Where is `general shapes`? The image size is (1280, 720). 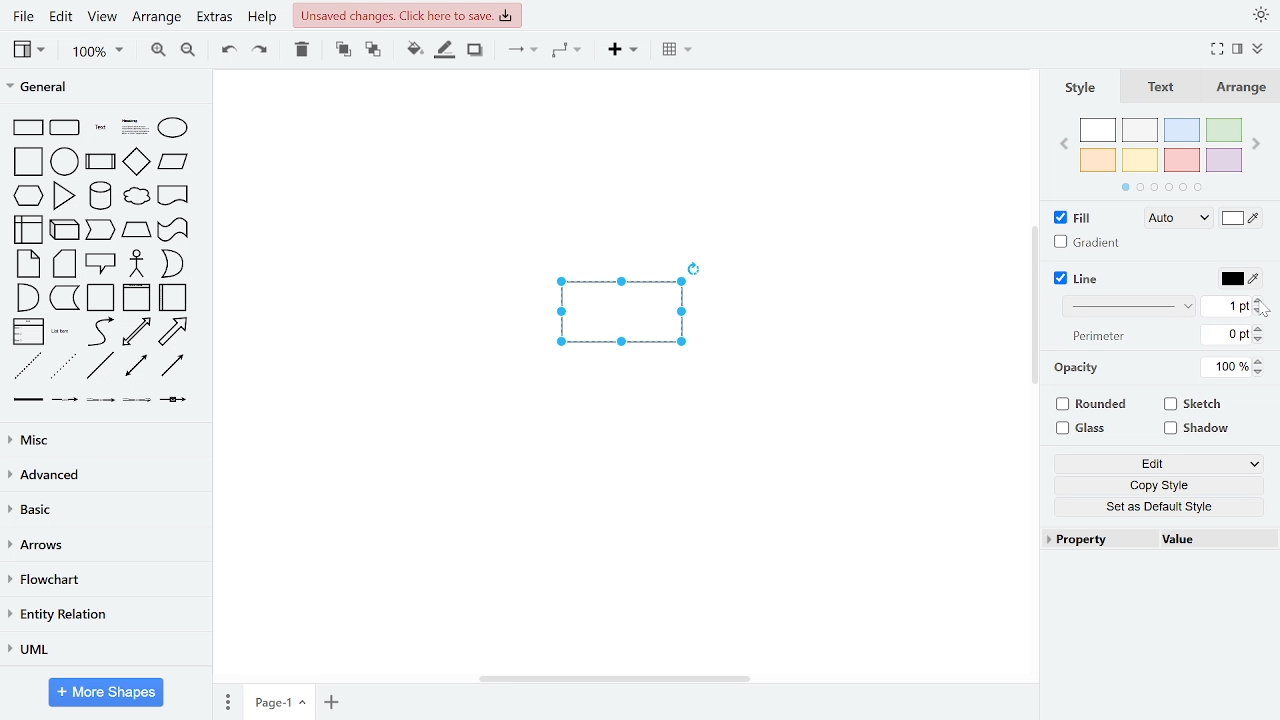 general shapes is located at coordinates (63, 331).